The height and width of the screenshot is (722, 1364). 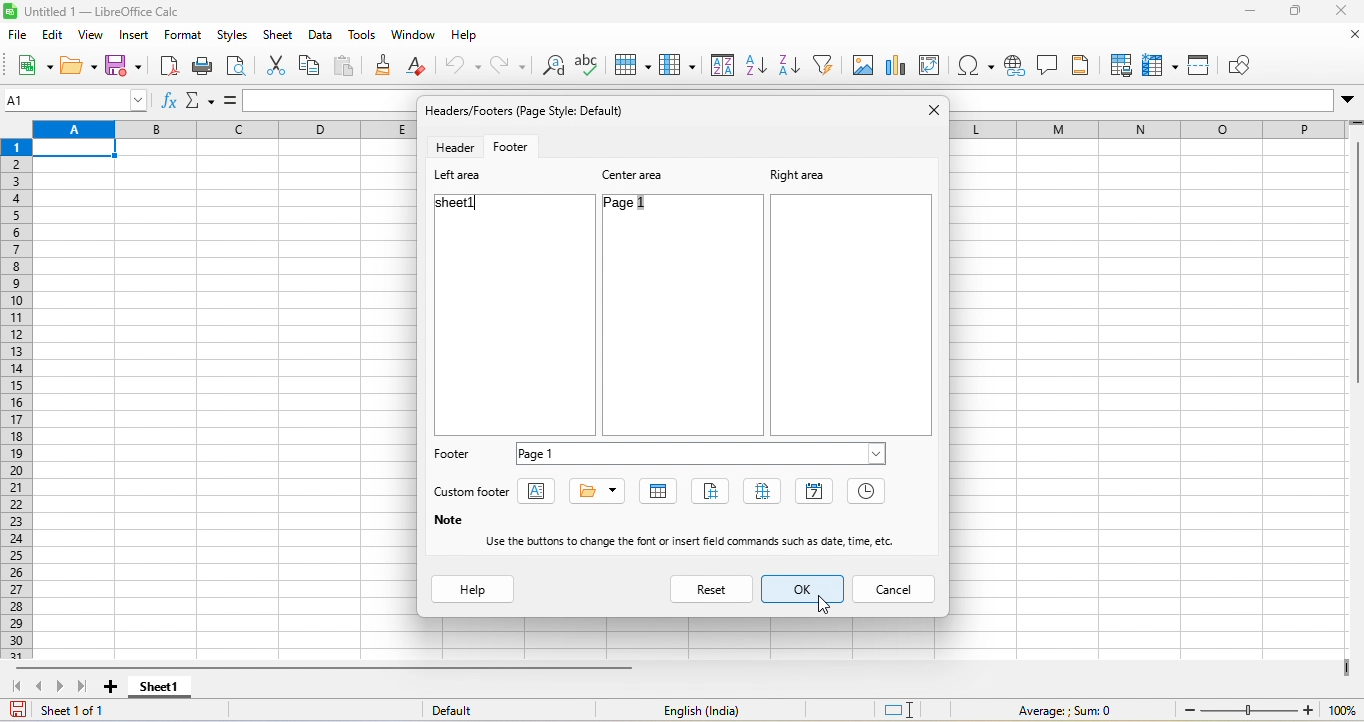 What do you see at coordinates (713, 588) in the screenshot?
I see `reset` at bounding box center [713, 588].